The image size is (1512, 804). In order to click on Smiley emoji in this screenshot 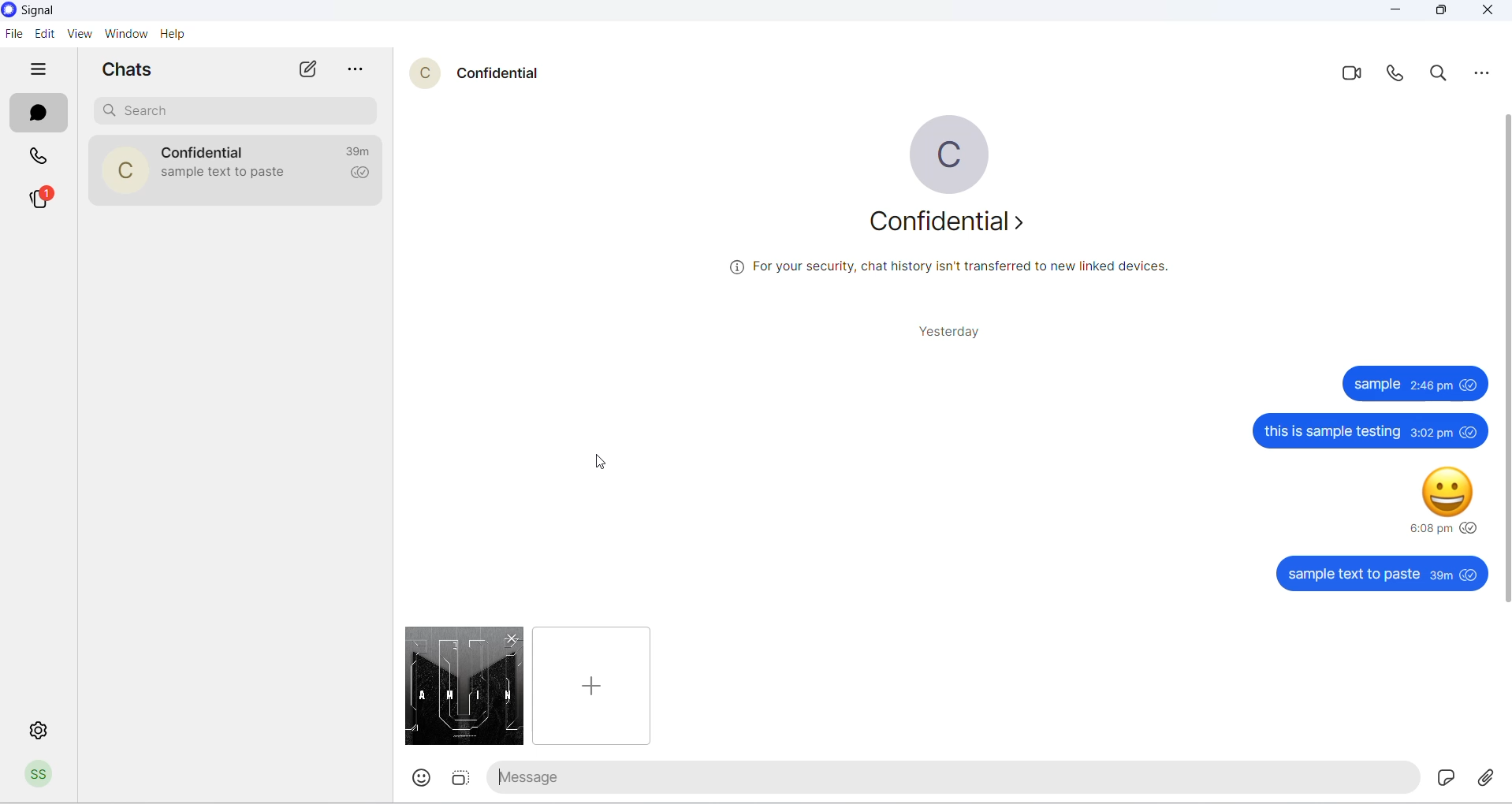, I will do `click(1454, 489)`.